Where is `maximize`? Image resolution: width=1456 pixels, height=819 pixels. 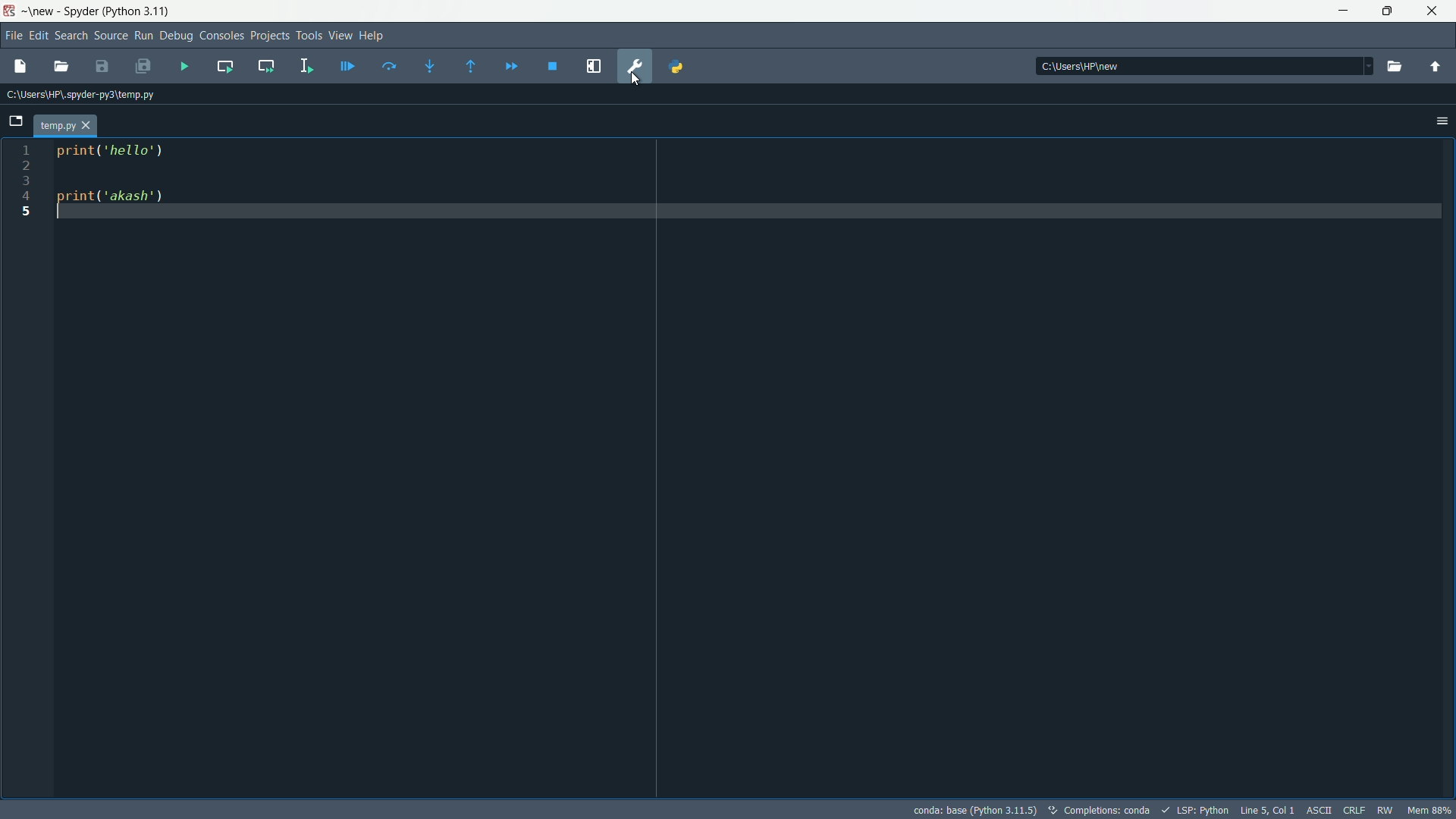 maximize is located at coordinates (1388, 11).